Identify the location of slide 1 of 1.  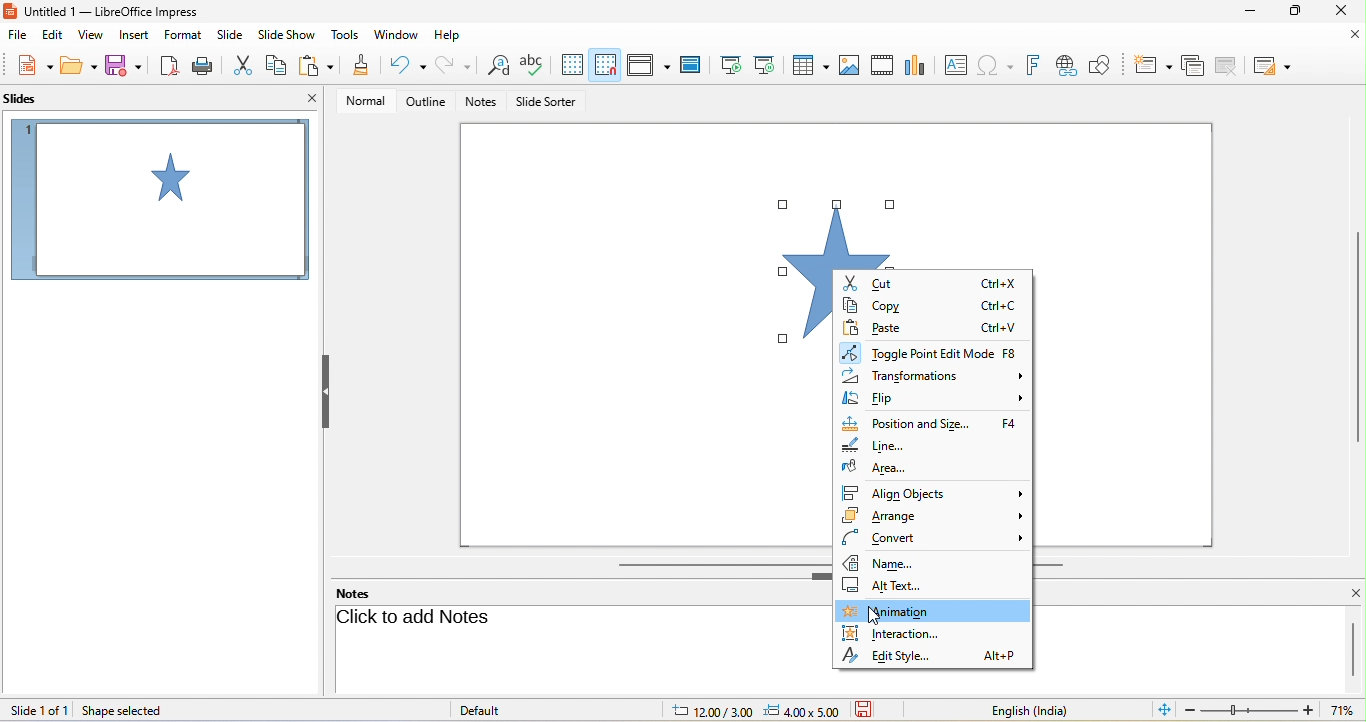
(39, 710).